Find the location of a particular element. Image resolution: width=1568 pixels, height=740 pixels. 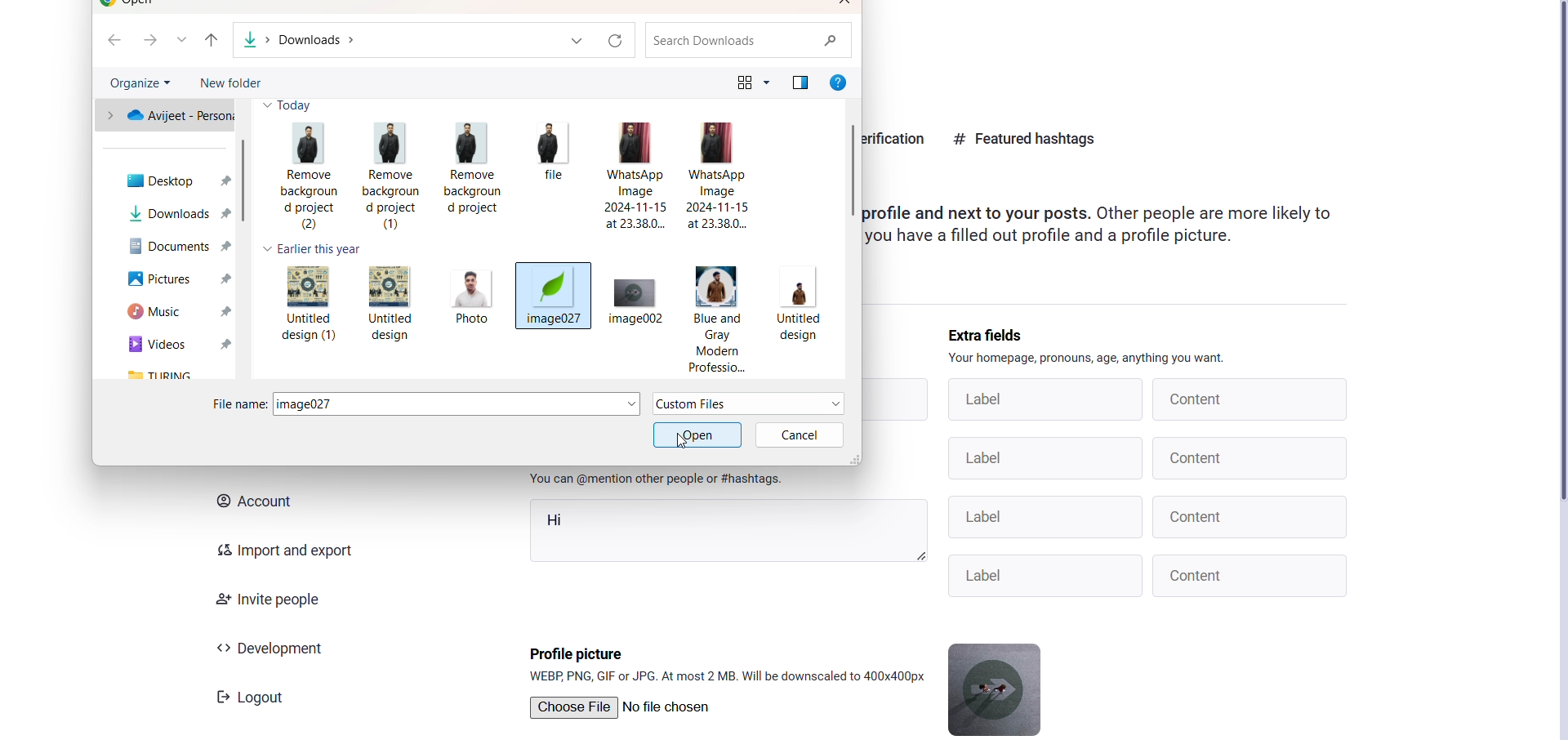

scroll bar is located at coordinates (852, 158).